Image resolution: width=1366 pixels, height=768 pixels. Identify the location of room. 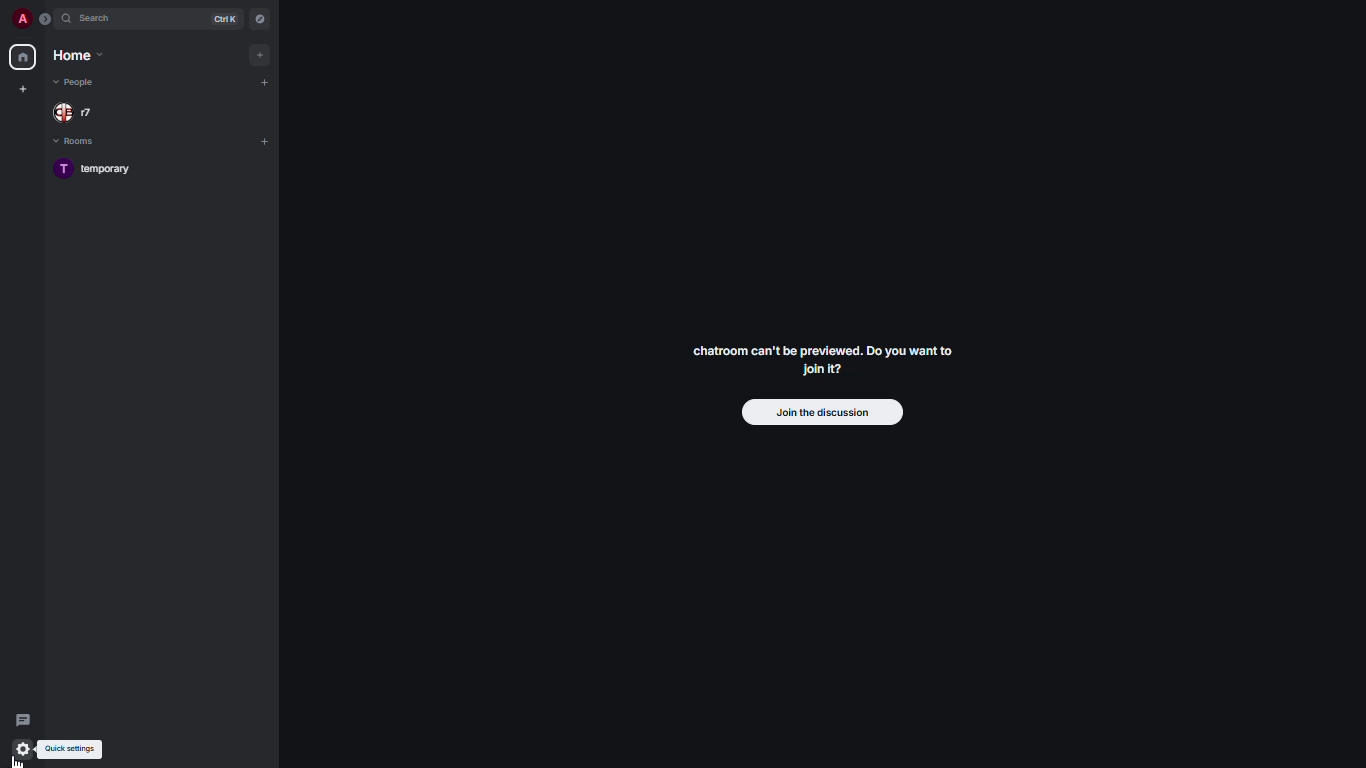
(106, 170).